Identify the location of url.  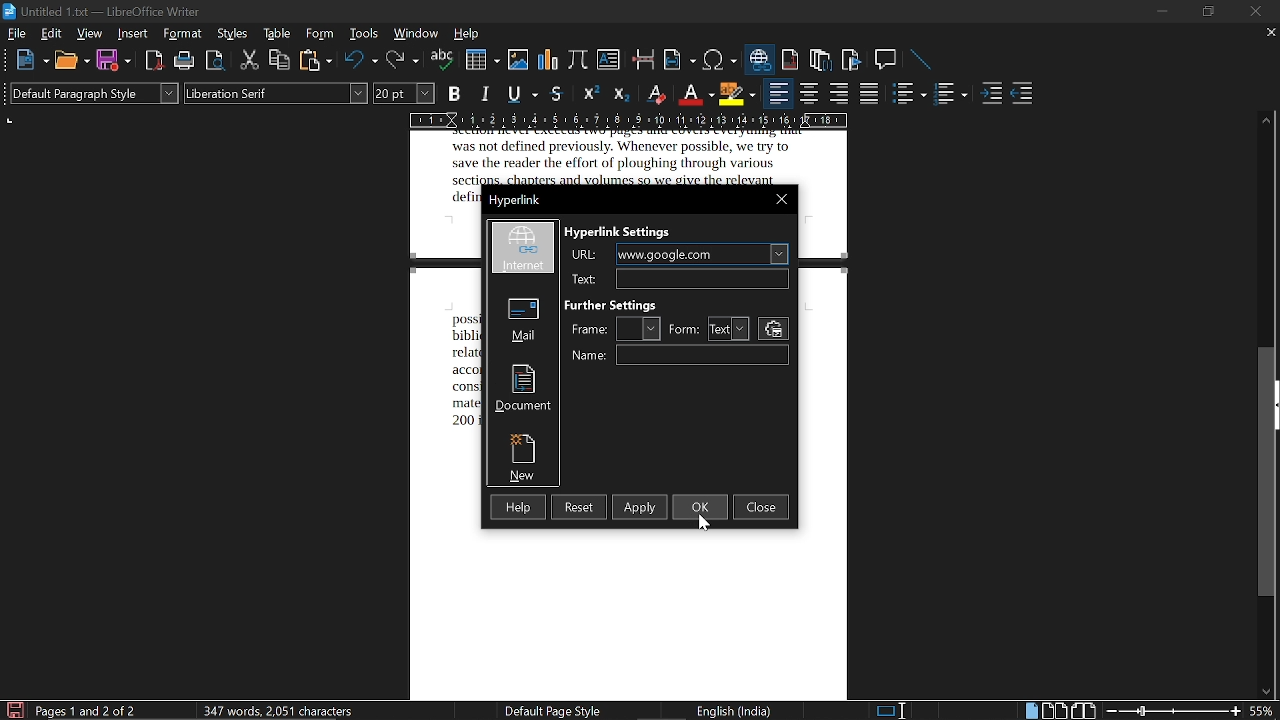
(585, 255).